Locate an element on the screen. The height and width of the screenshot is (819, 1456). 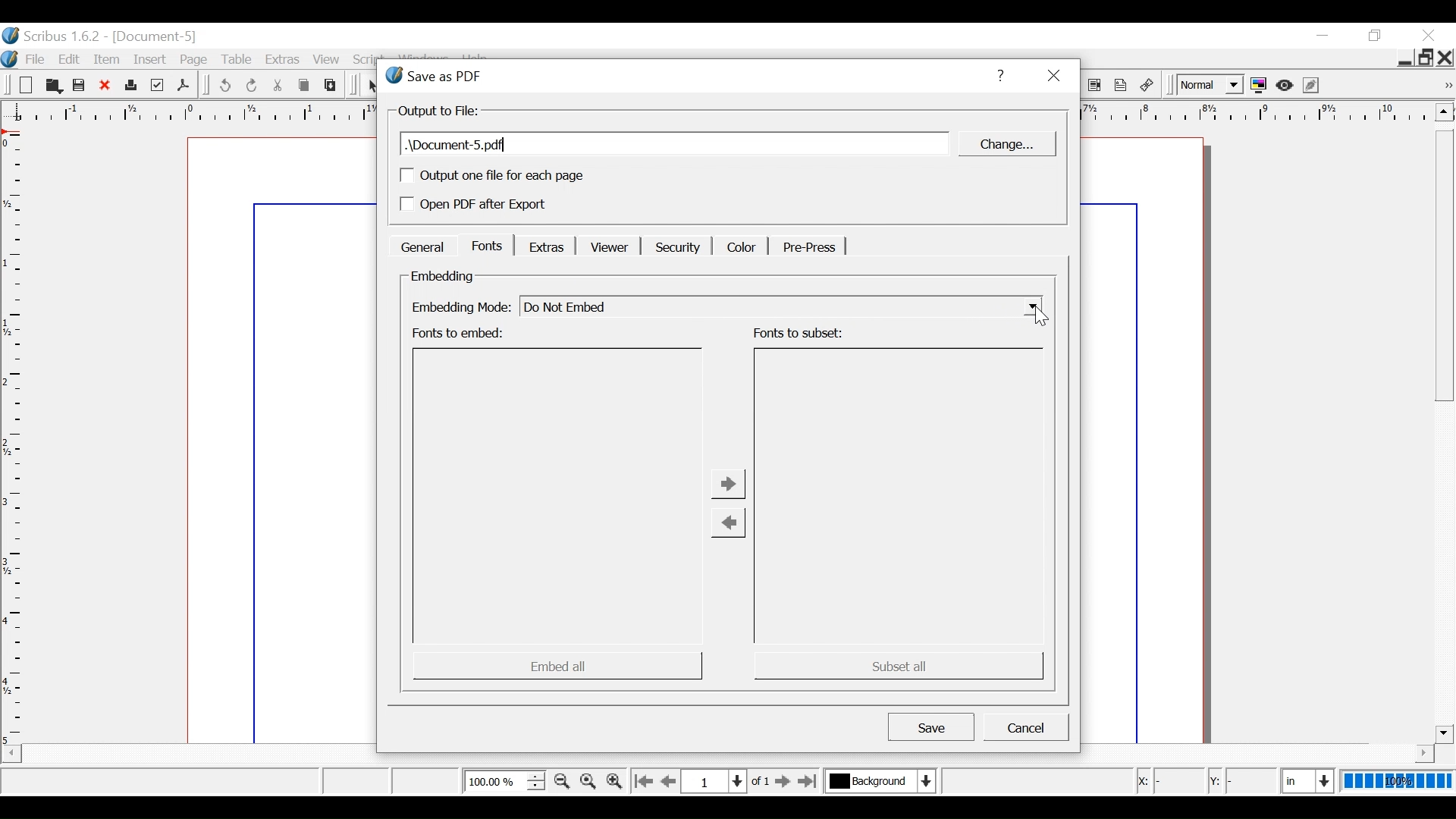
Insert  is located at coordinates (152, 60).